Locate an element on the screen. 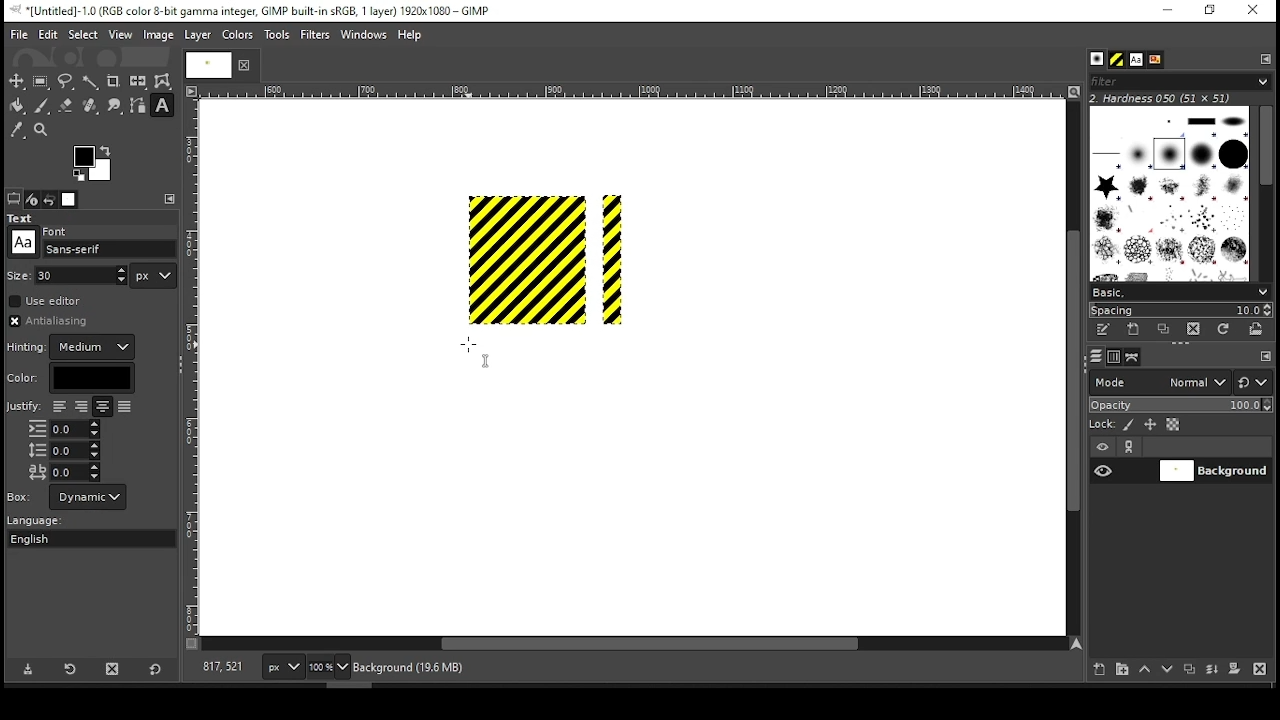 The width and height of the screenshot is (1280, 720). text tool is located at coordinates (162, 107).